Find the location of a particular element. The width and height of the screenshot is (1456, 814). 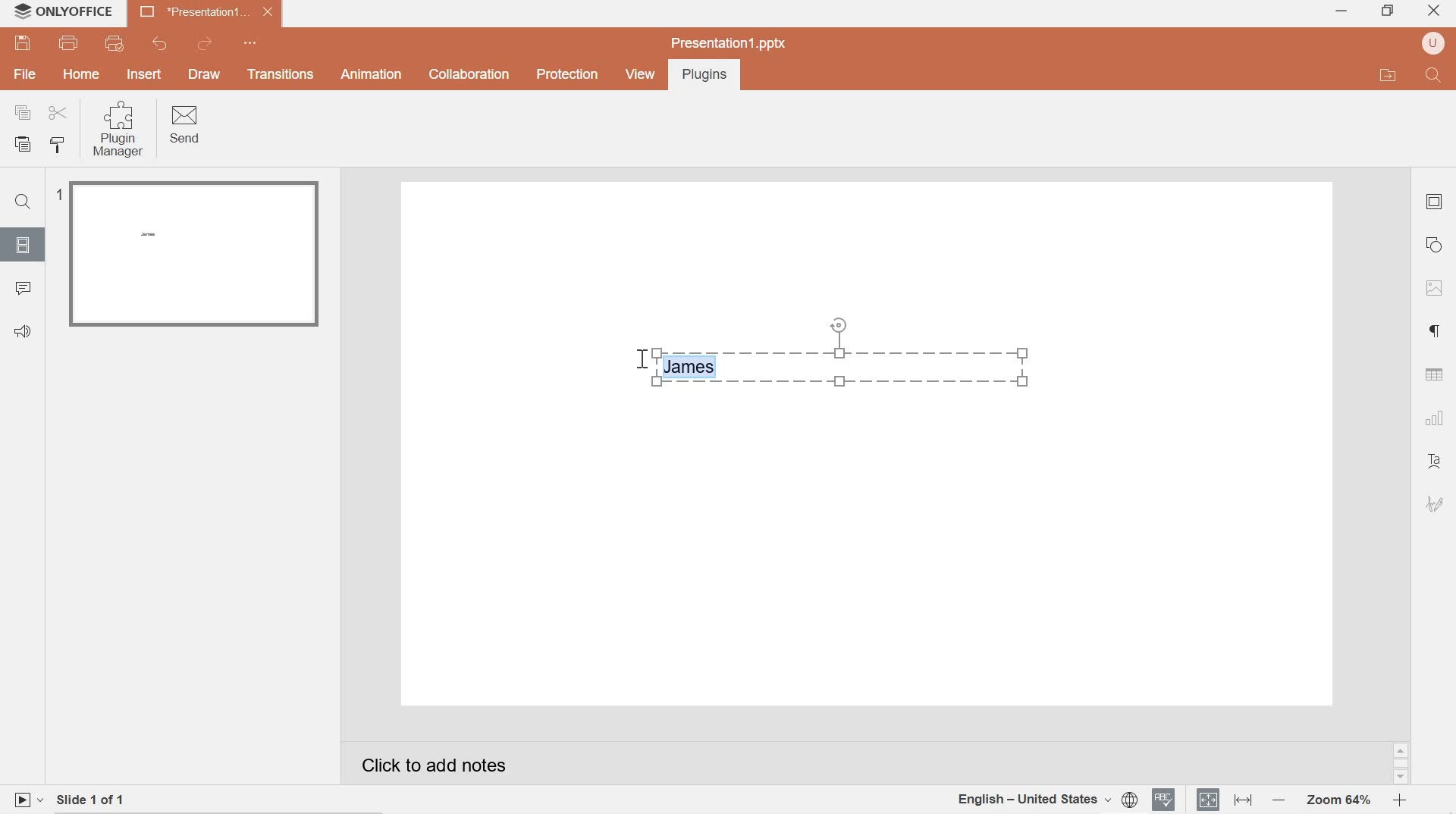

comments is located at coordinates (25, 290).